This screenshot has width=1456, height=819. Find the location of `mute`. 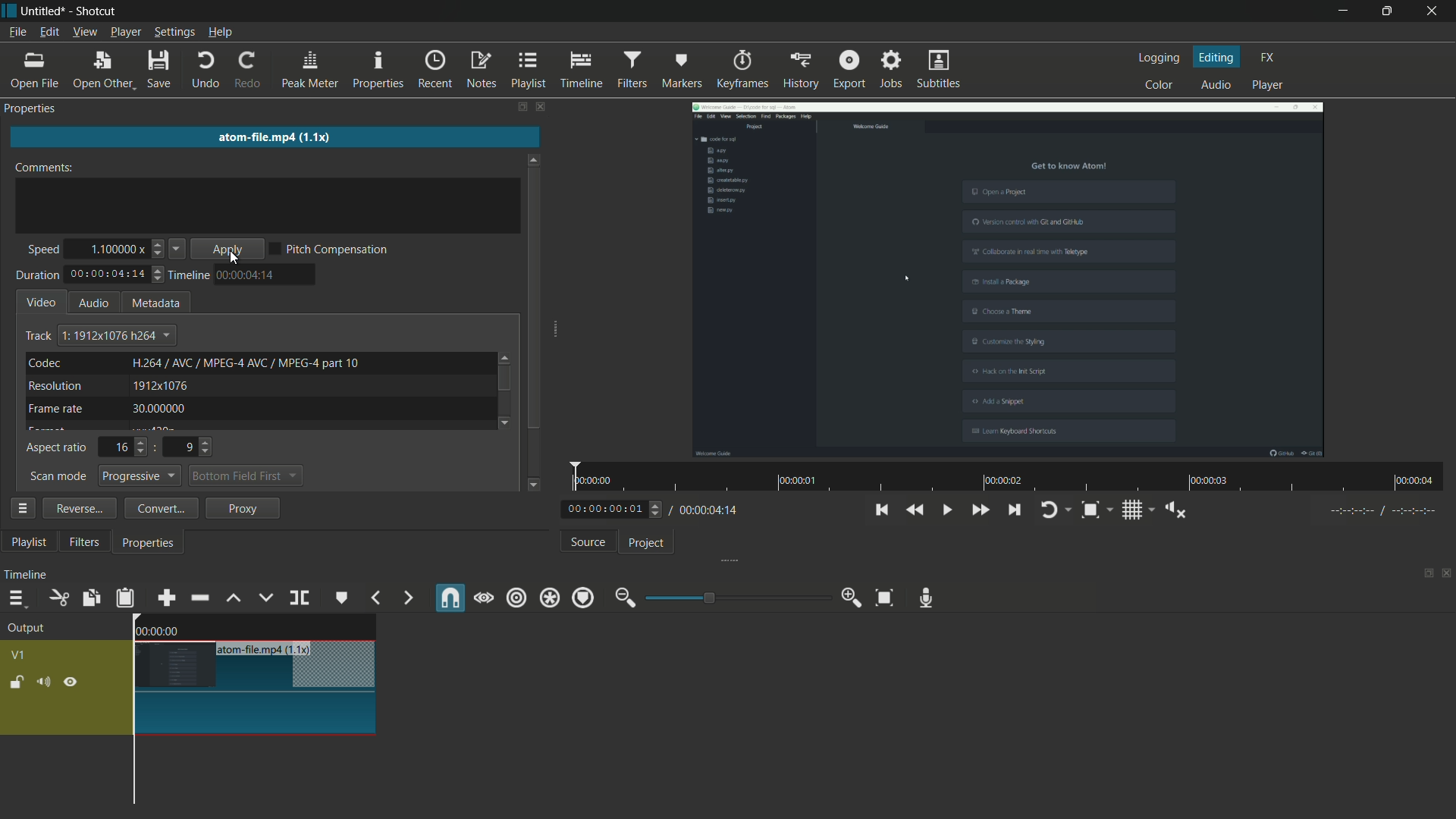

mute is located at coordinates (42, 682).